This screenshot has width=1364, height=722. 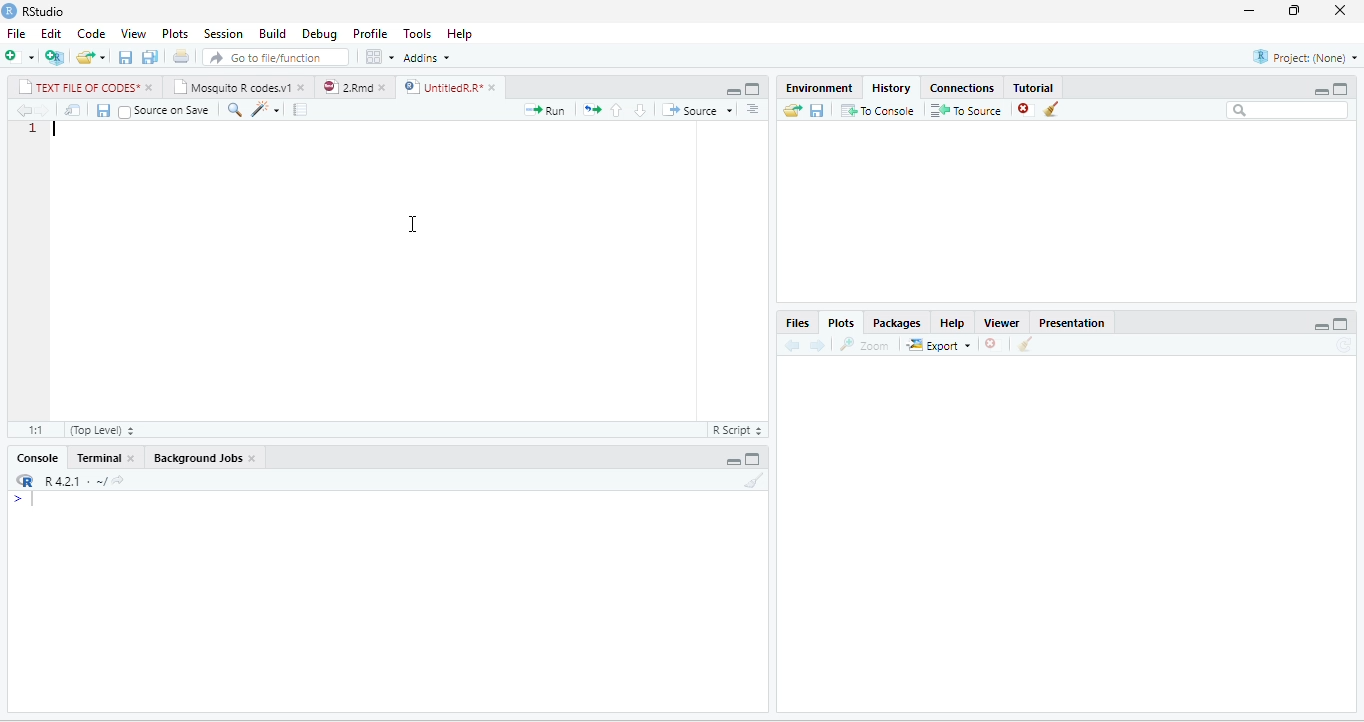 I want to click on Background Jobs, so click(x=196, y=458).